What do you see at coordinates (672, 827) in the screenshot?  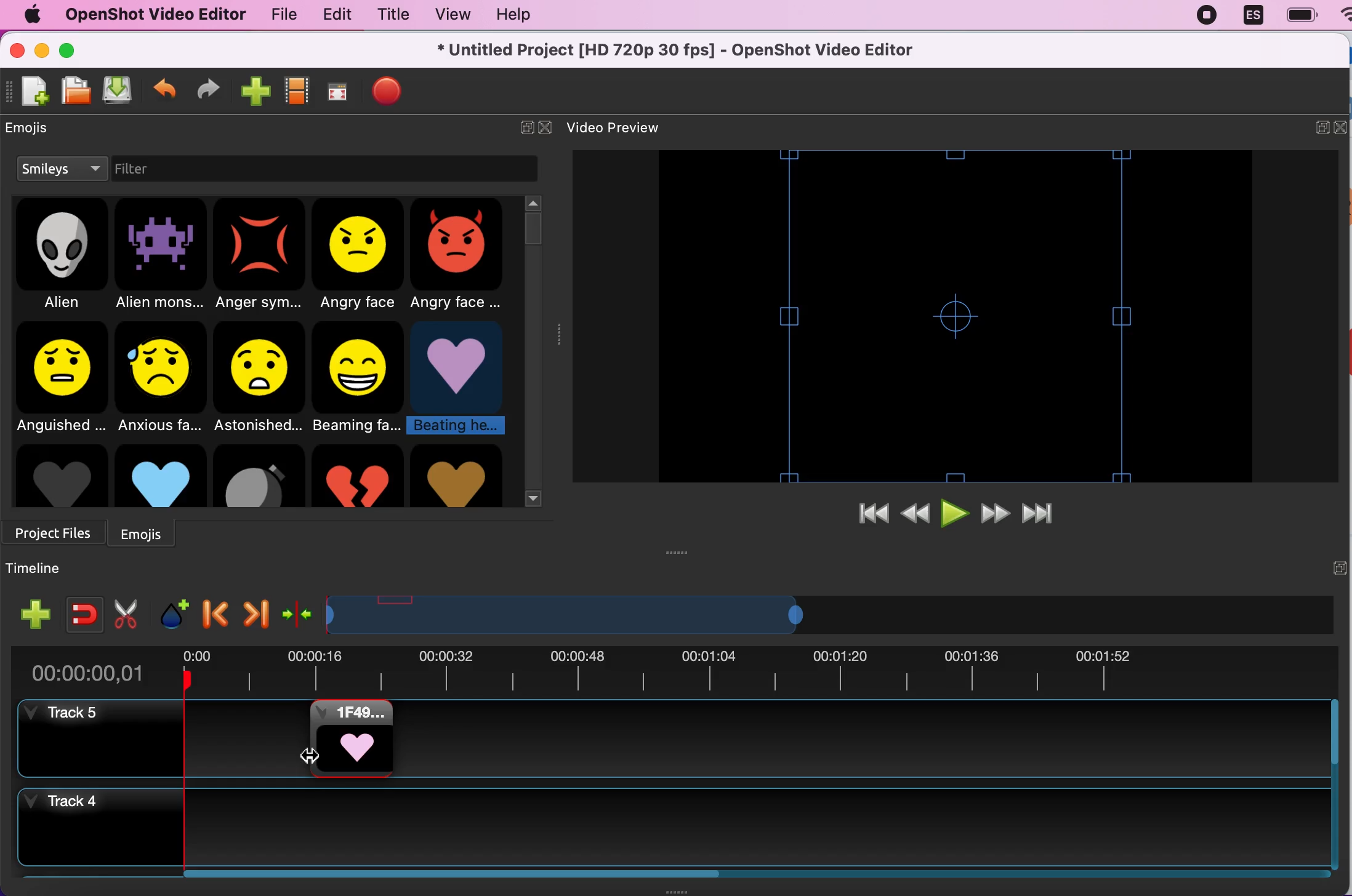 I see `track 4` at bounding box center [672, 827].